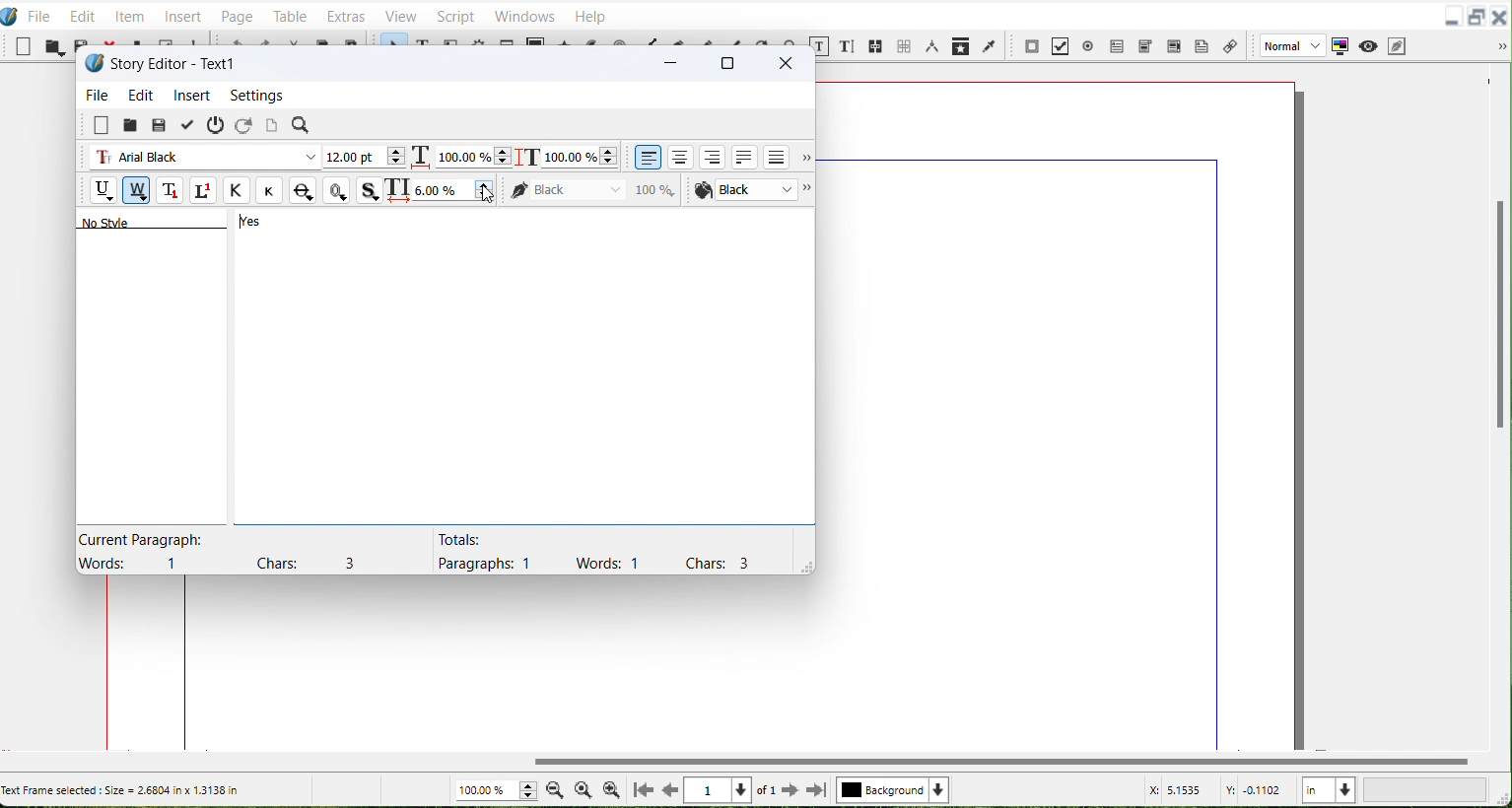  I want to click on Edit in preview Mode, so click(1398, 45).